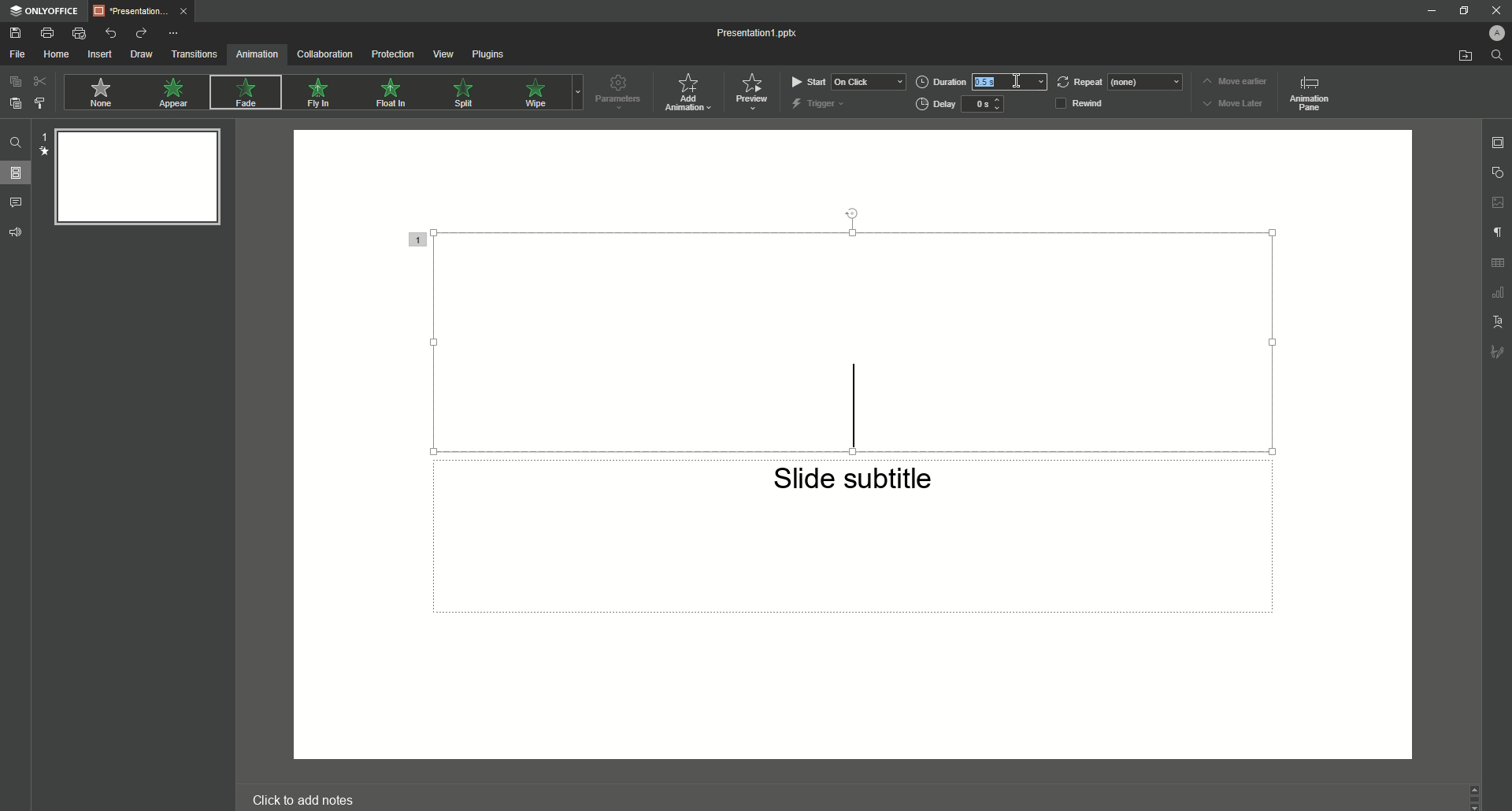 Image resolution: width=1512 pixels, height=811 pixels. What do you see at coordinates (17, 172) in the screenshot?
I see `Slides` at bounding box center [17, 172].